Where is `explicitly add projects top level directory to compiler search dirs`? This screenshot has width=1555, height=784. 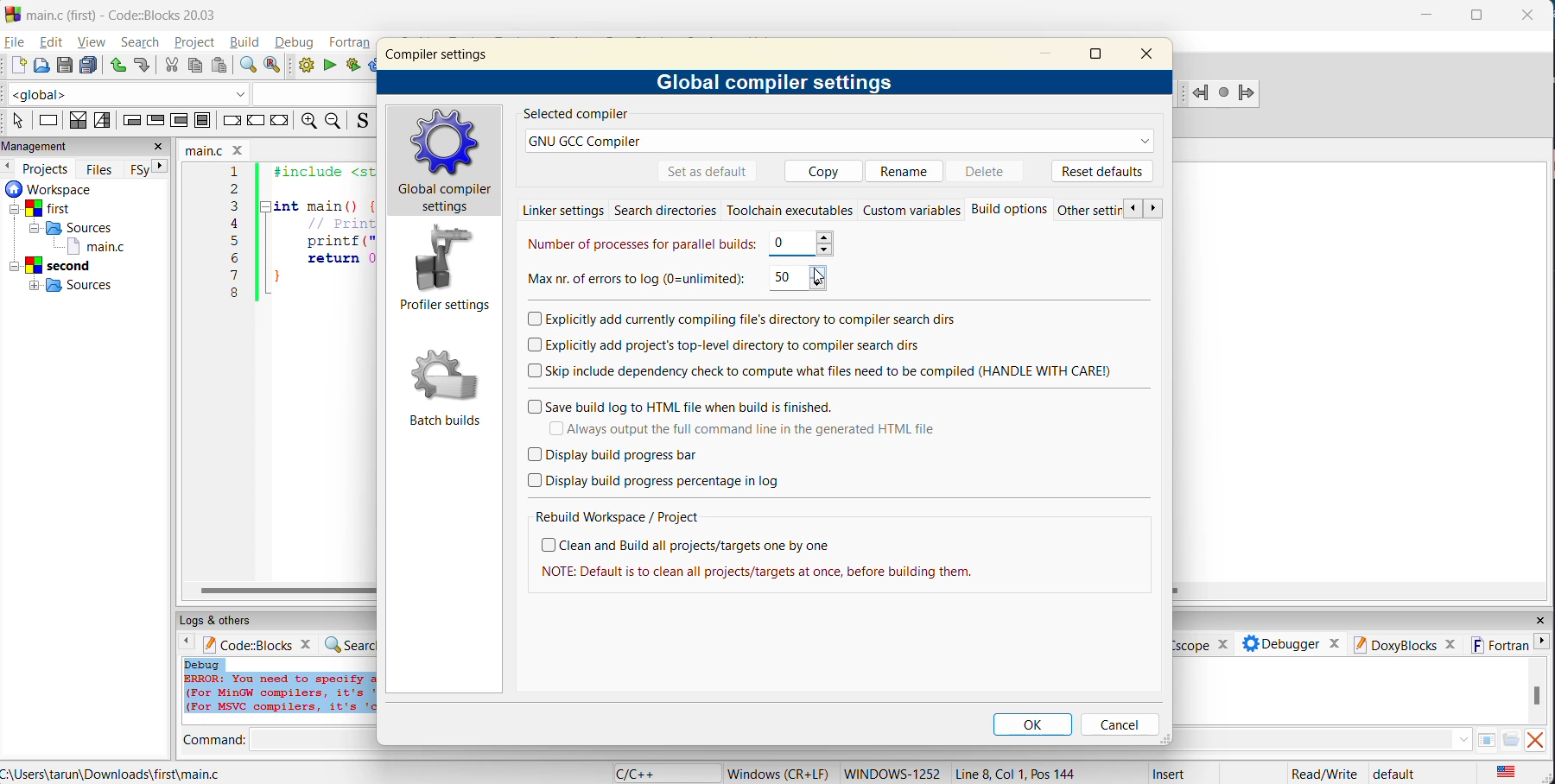 explicitly add projects top level directory to compiler search dirs is located at coordinates (752, 348).